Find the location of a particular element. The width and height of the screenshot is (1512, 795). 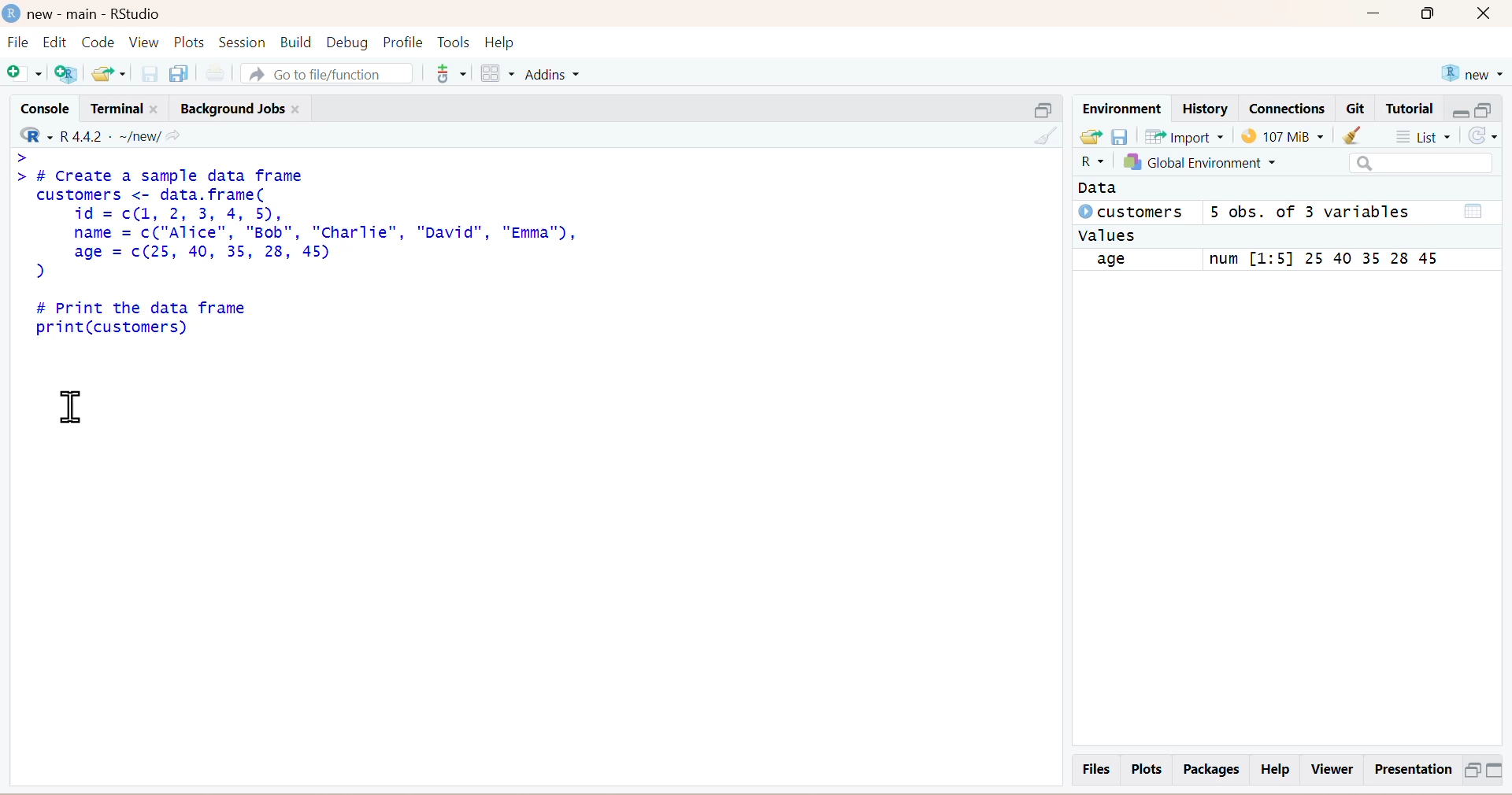

text cursor is located at coordinates (69, 405).